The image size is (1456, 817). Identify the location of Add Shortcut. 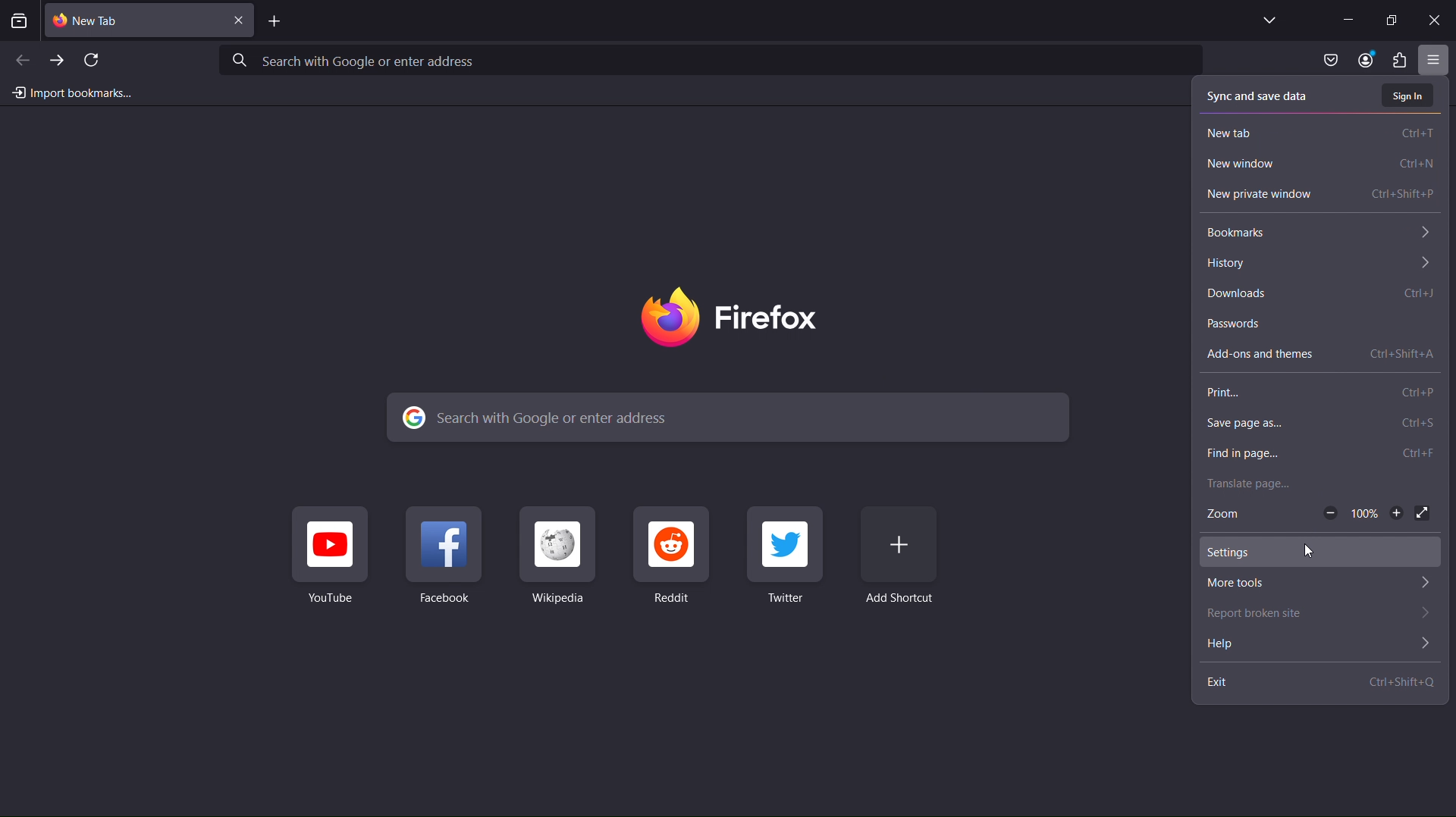
(908, 556).